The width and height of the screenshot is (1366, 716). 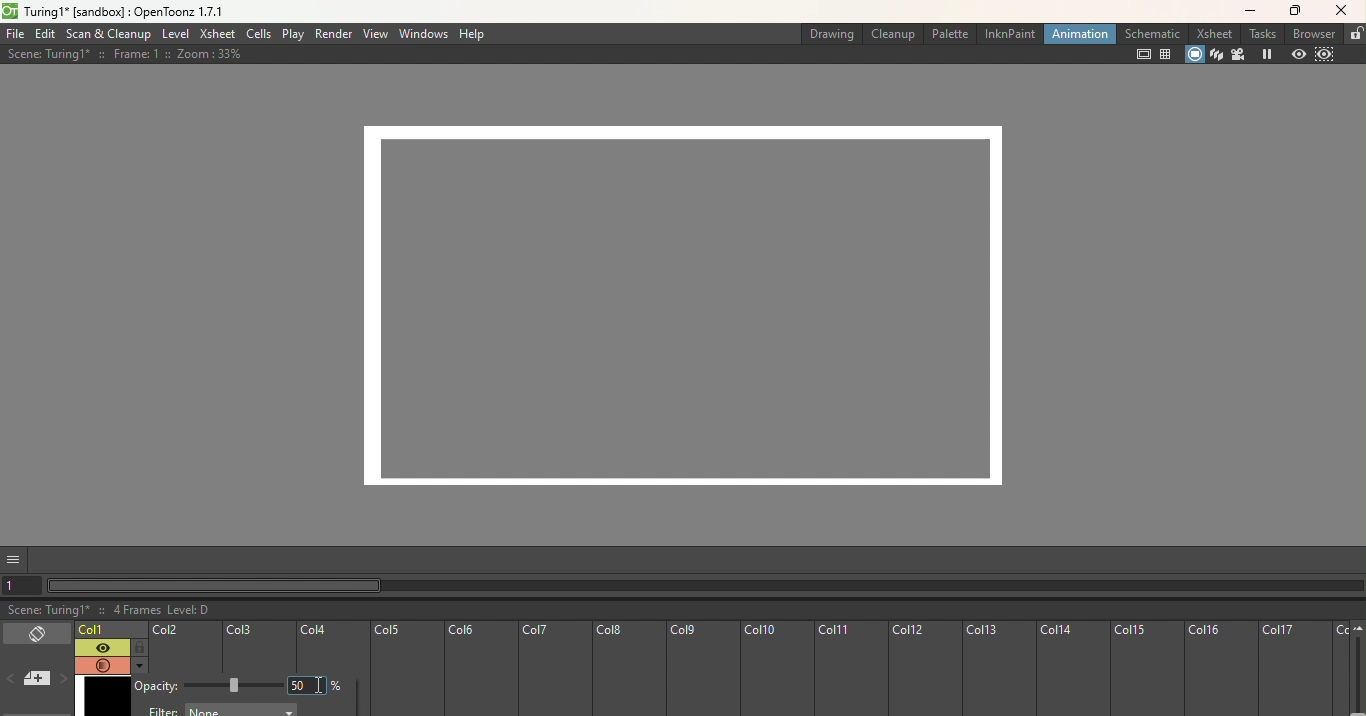 I want to click on Scene: Turing1* :: Frame: 1 :: Zoom: 33%, so click(x=125, y=54).